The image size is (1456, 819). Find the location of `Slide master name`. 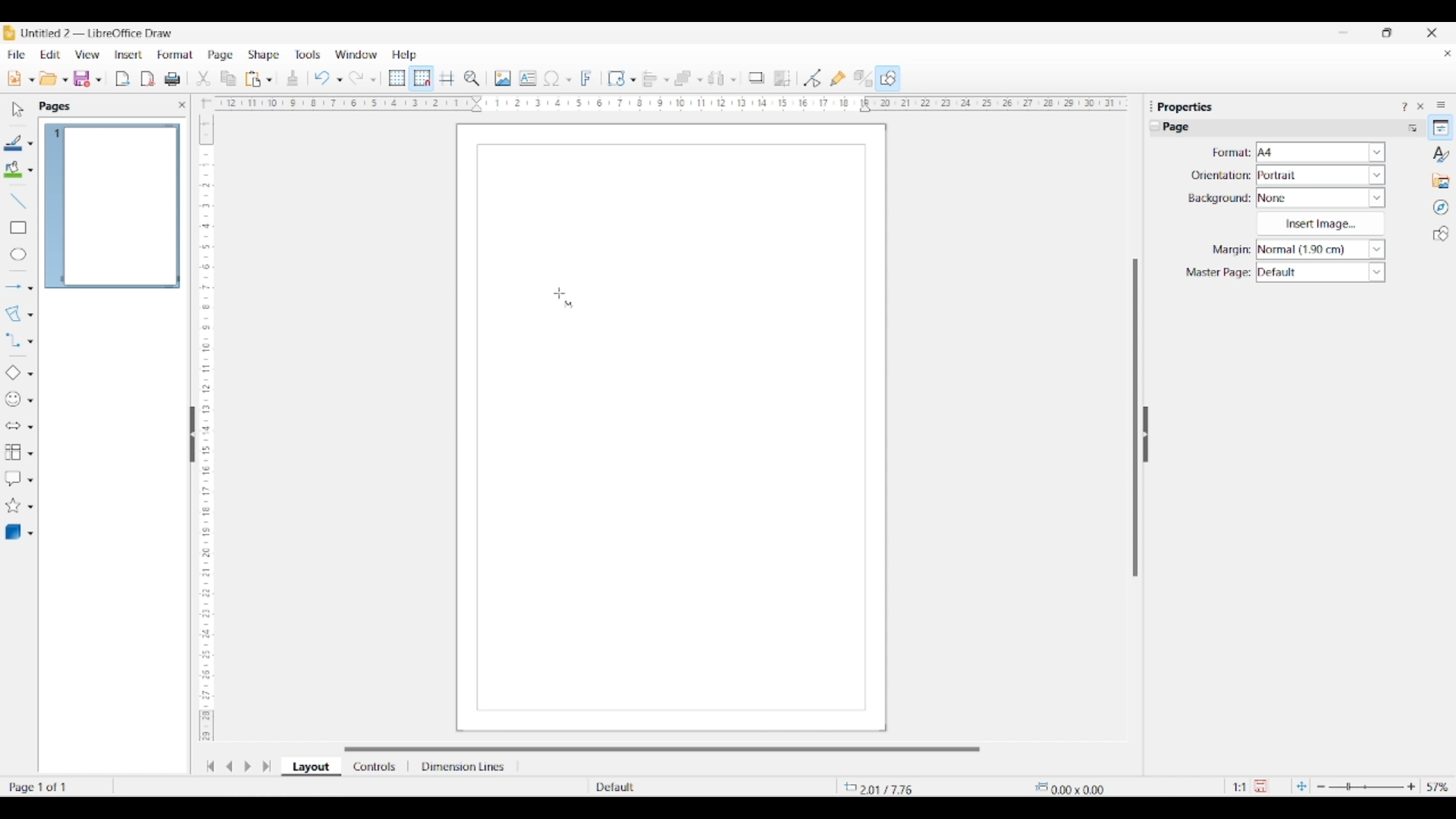

Slide master name is located at coordinates (680, 788).